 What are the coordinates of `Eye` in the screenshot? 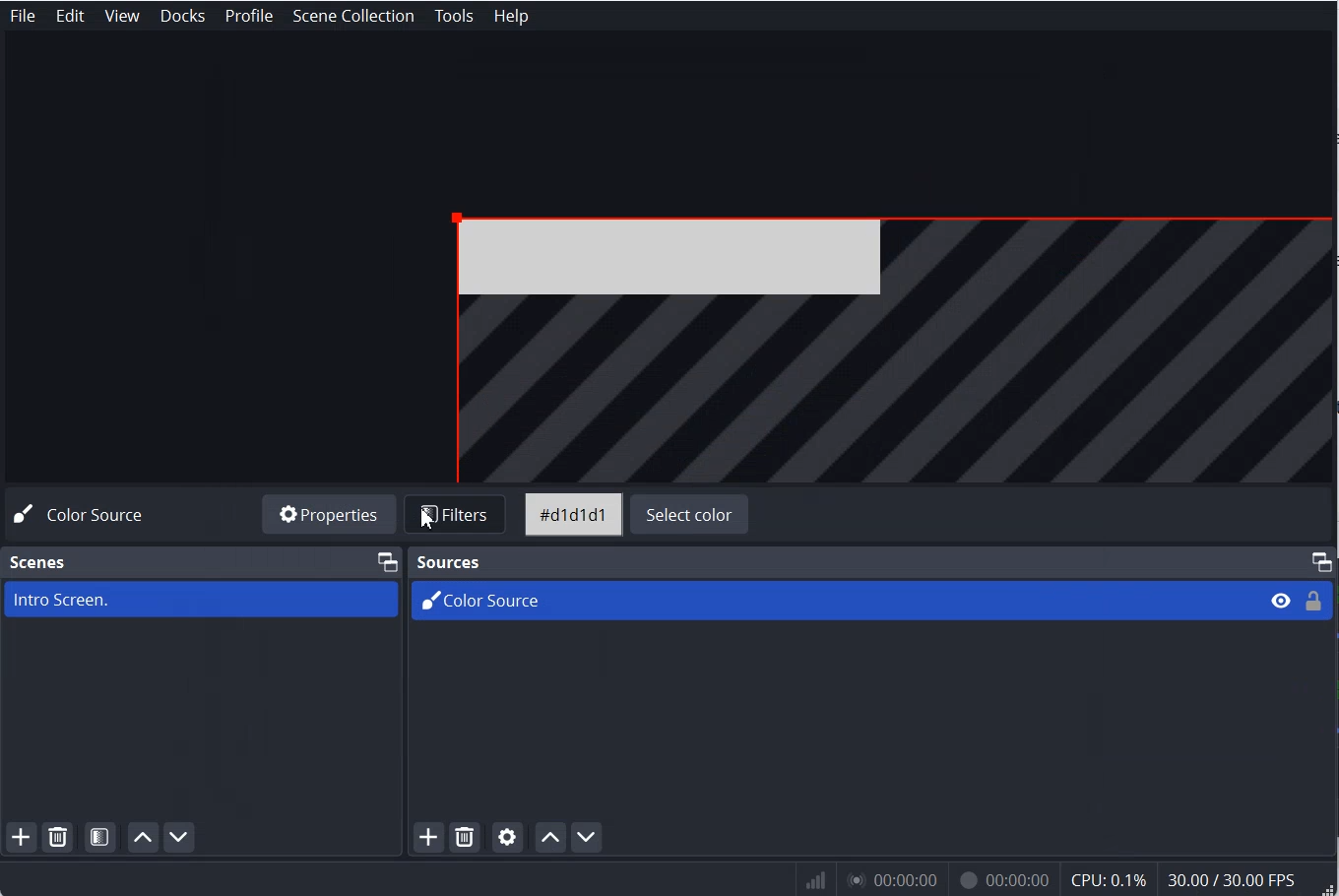 It's located at (1281, 601).